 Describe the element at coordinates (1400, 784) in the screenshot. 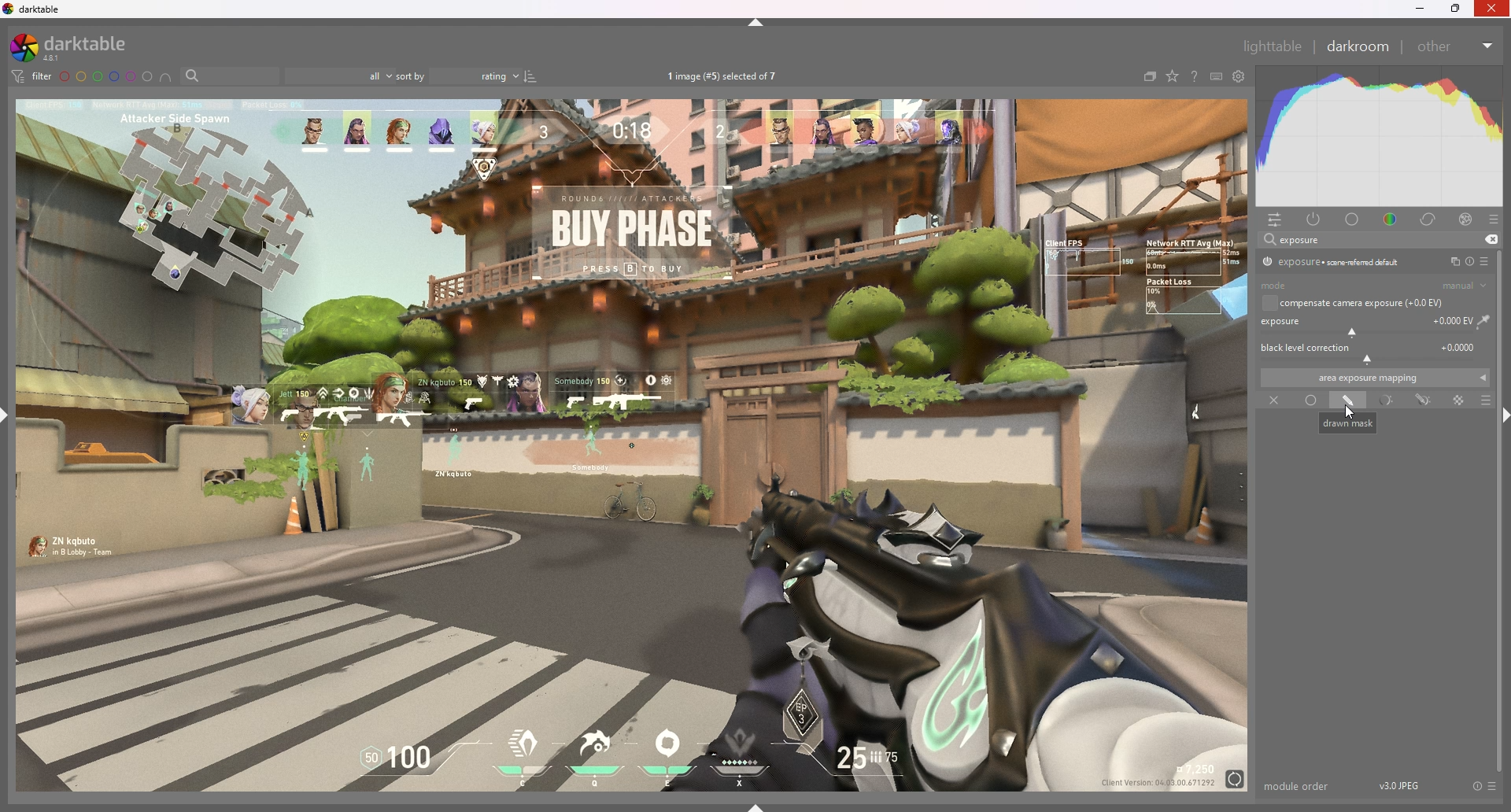

I see `version` at that location.